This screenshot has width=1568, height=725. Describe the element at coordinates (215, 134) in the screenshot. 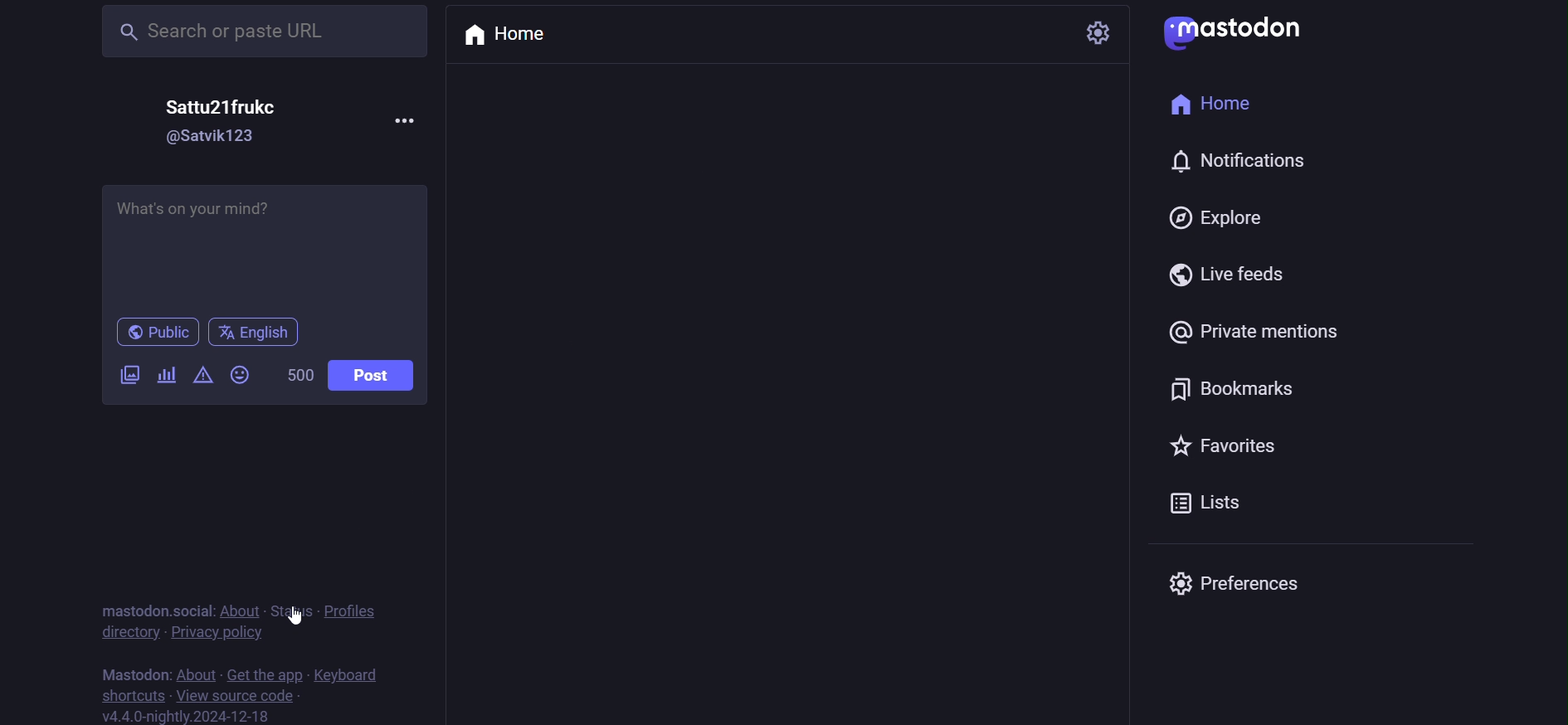

I see `id` at that location.